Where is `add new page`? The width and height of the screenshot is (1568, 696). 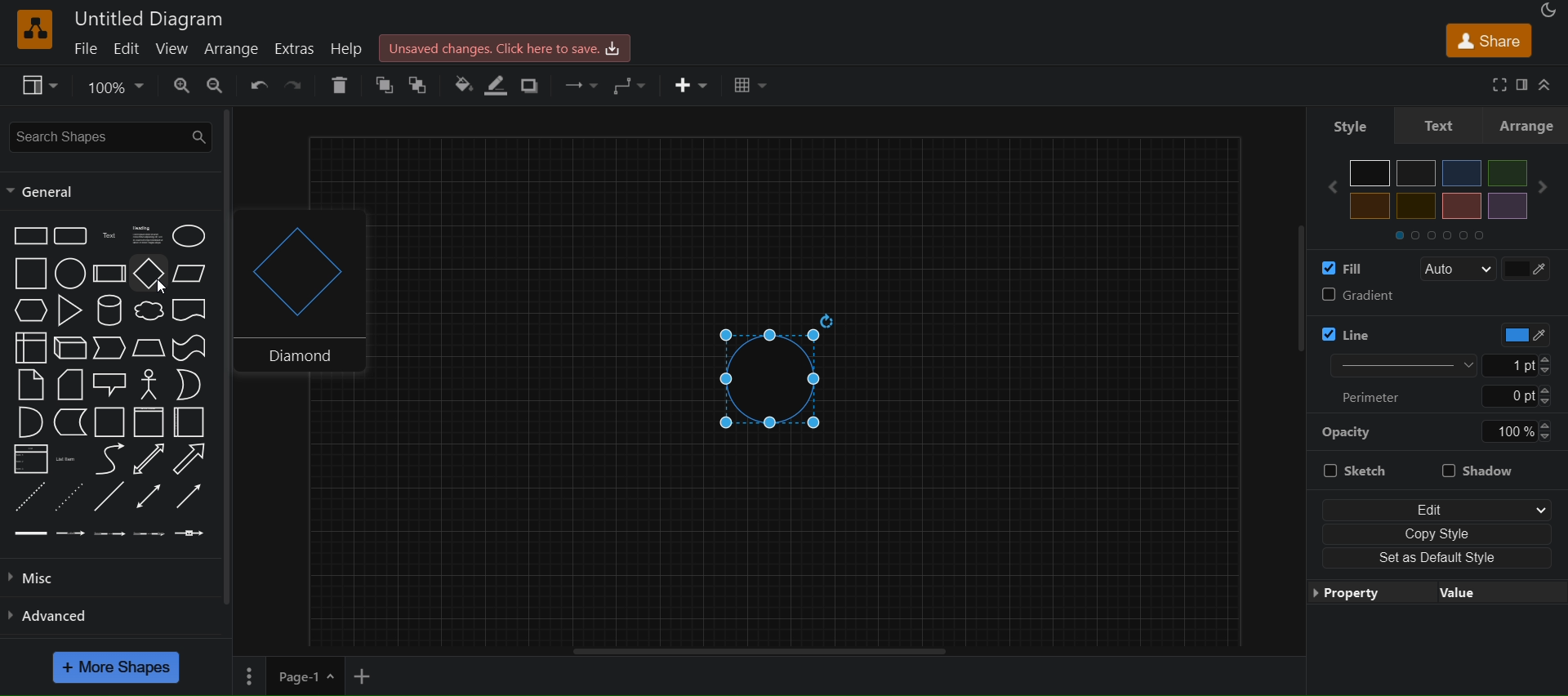 add new page is located at coordinates (372, 680).